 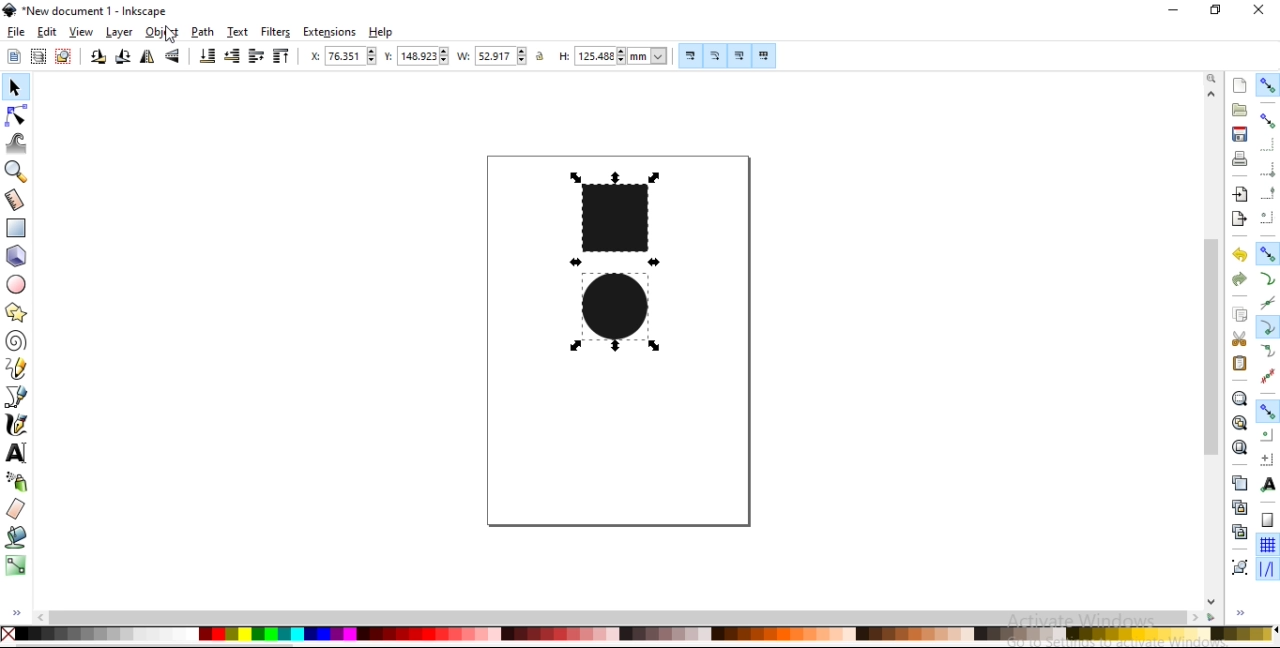 I want to click on snap midpoints of line segments, so click(x=1267, y=375).